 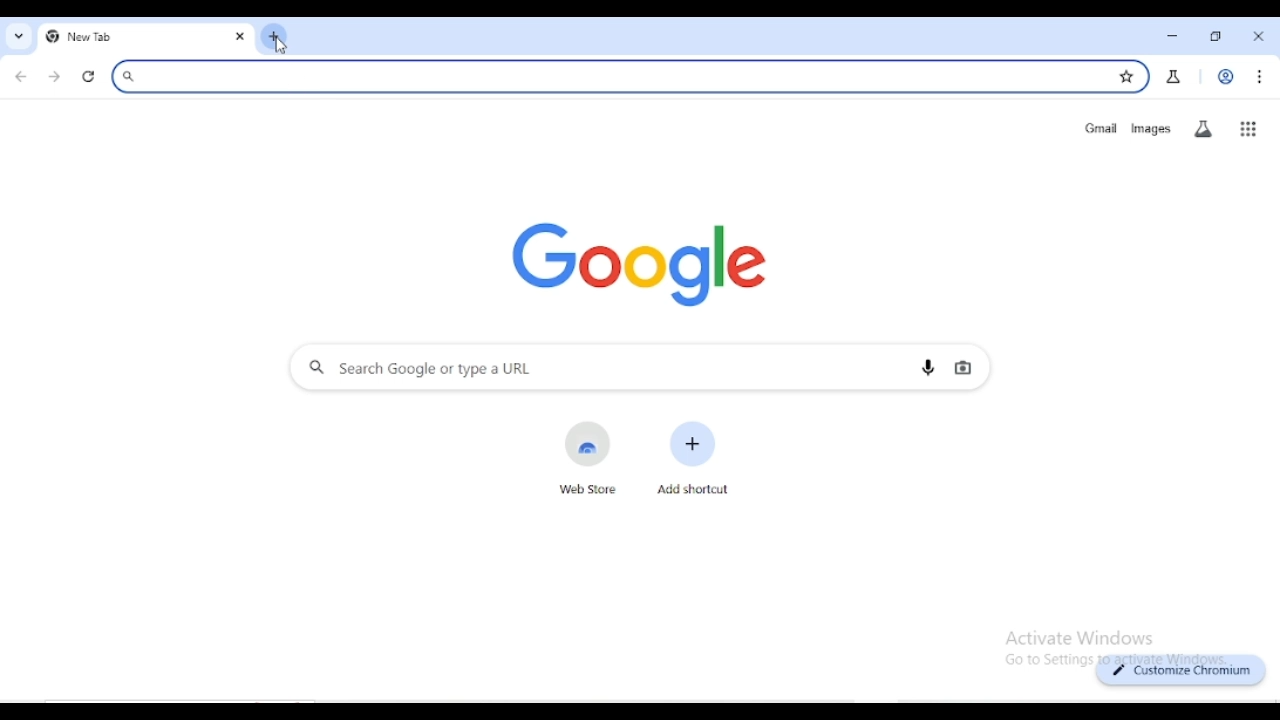 I want to click on add shortcut, so click(x=694, y=458).